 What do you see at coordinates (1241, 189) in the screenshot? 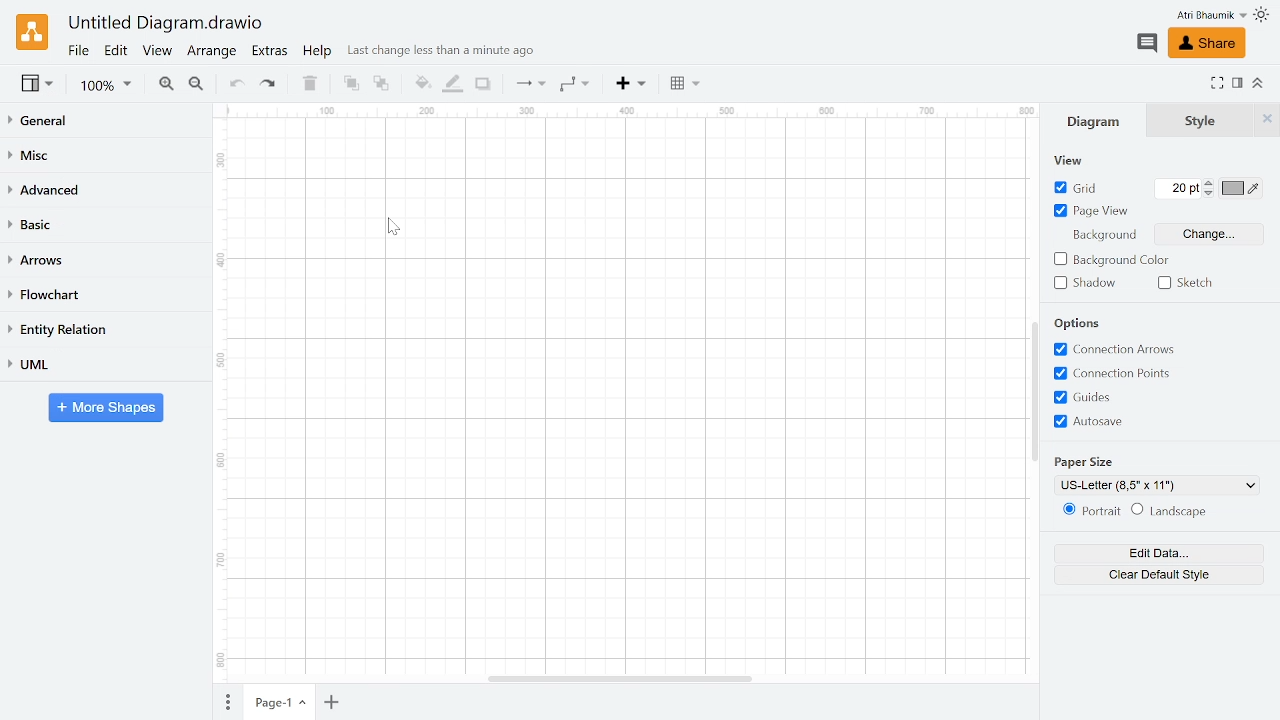
I see `Grid color` at bounding box center [1241, 189].